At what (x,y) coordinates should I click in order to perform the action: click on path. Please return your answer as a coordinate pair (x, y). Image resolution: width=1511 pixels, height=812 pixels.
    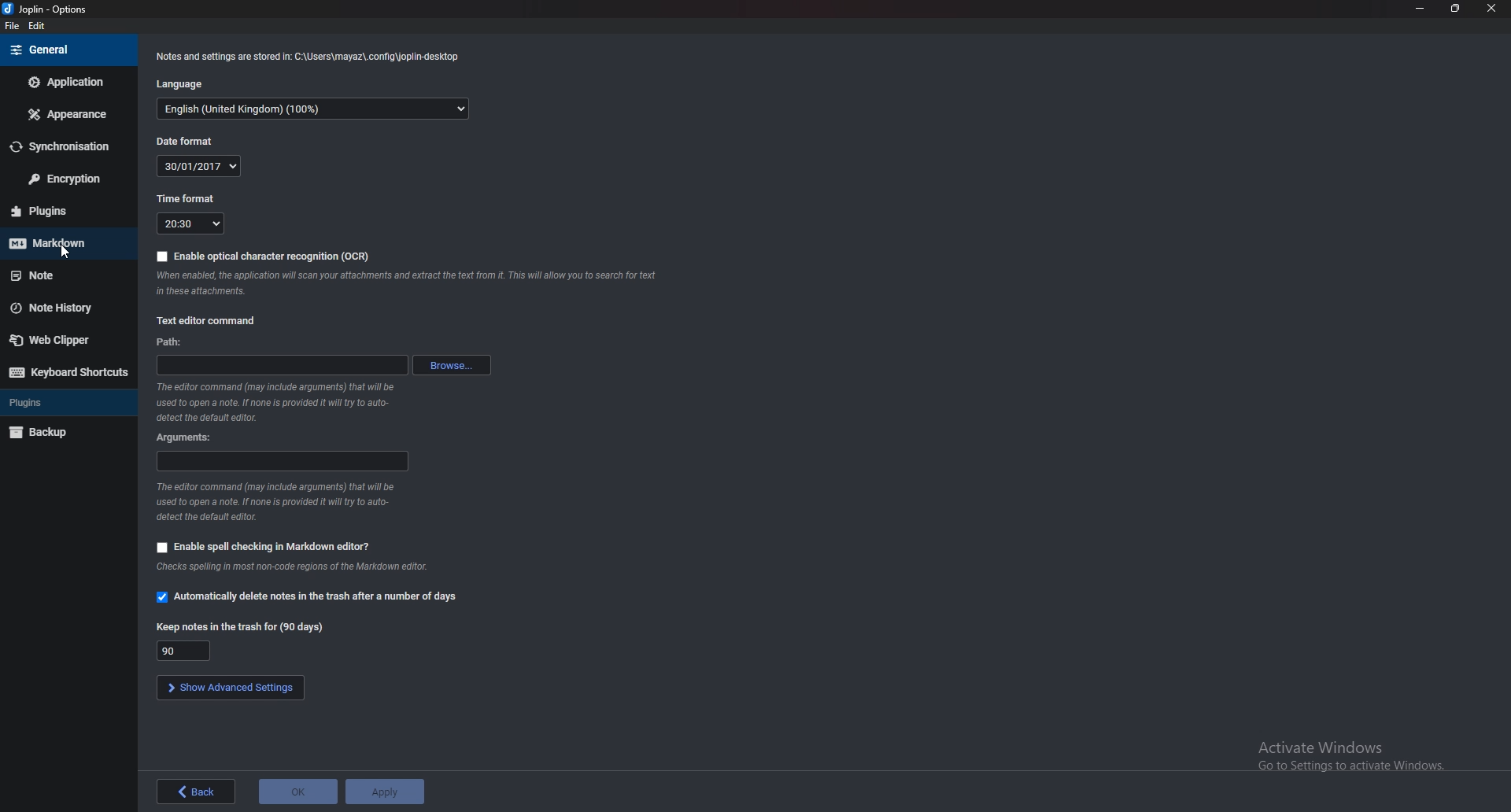
    Looking at the image, I should click on (281, 364).